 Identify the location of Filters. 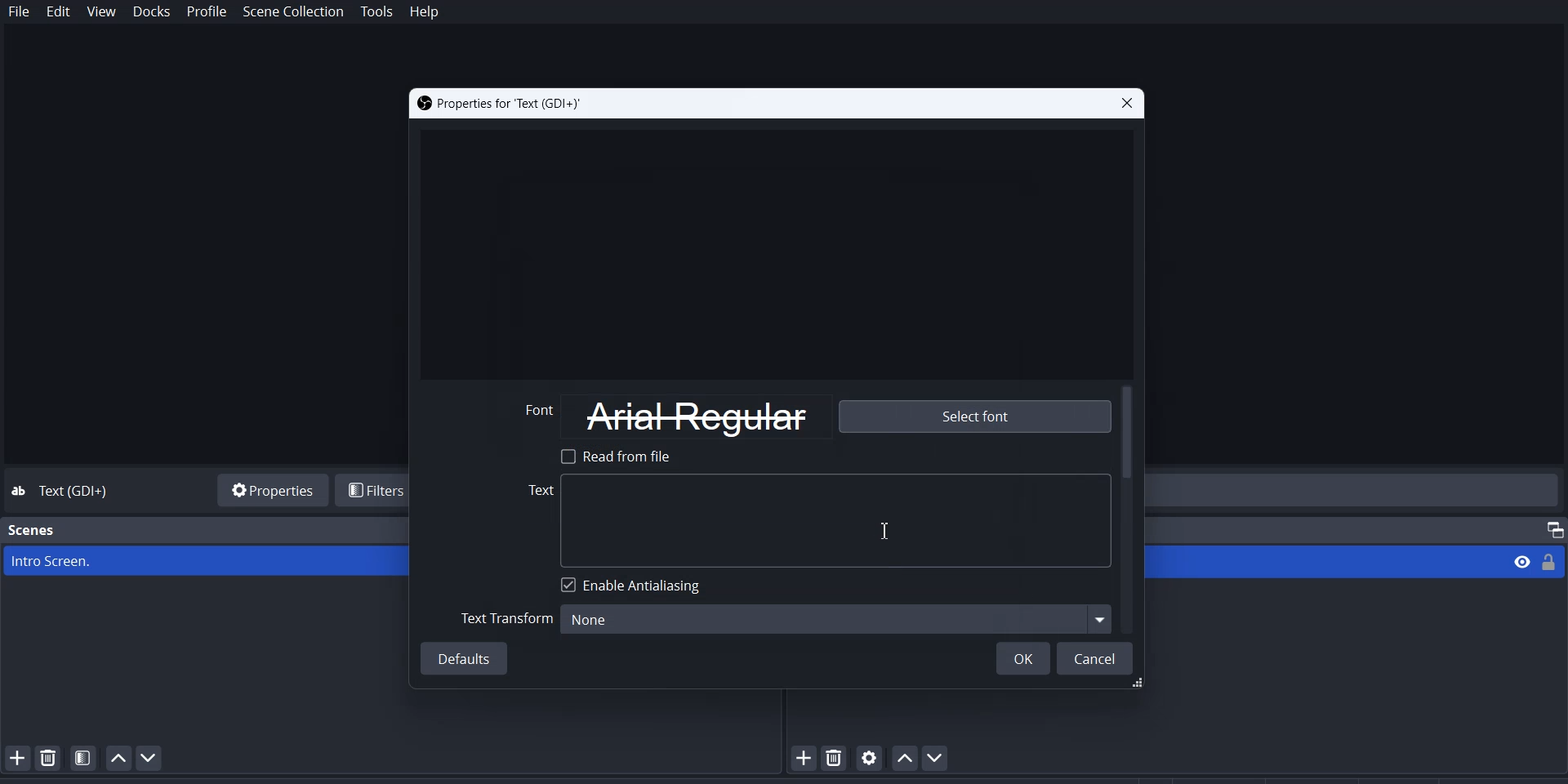
(375, 490).